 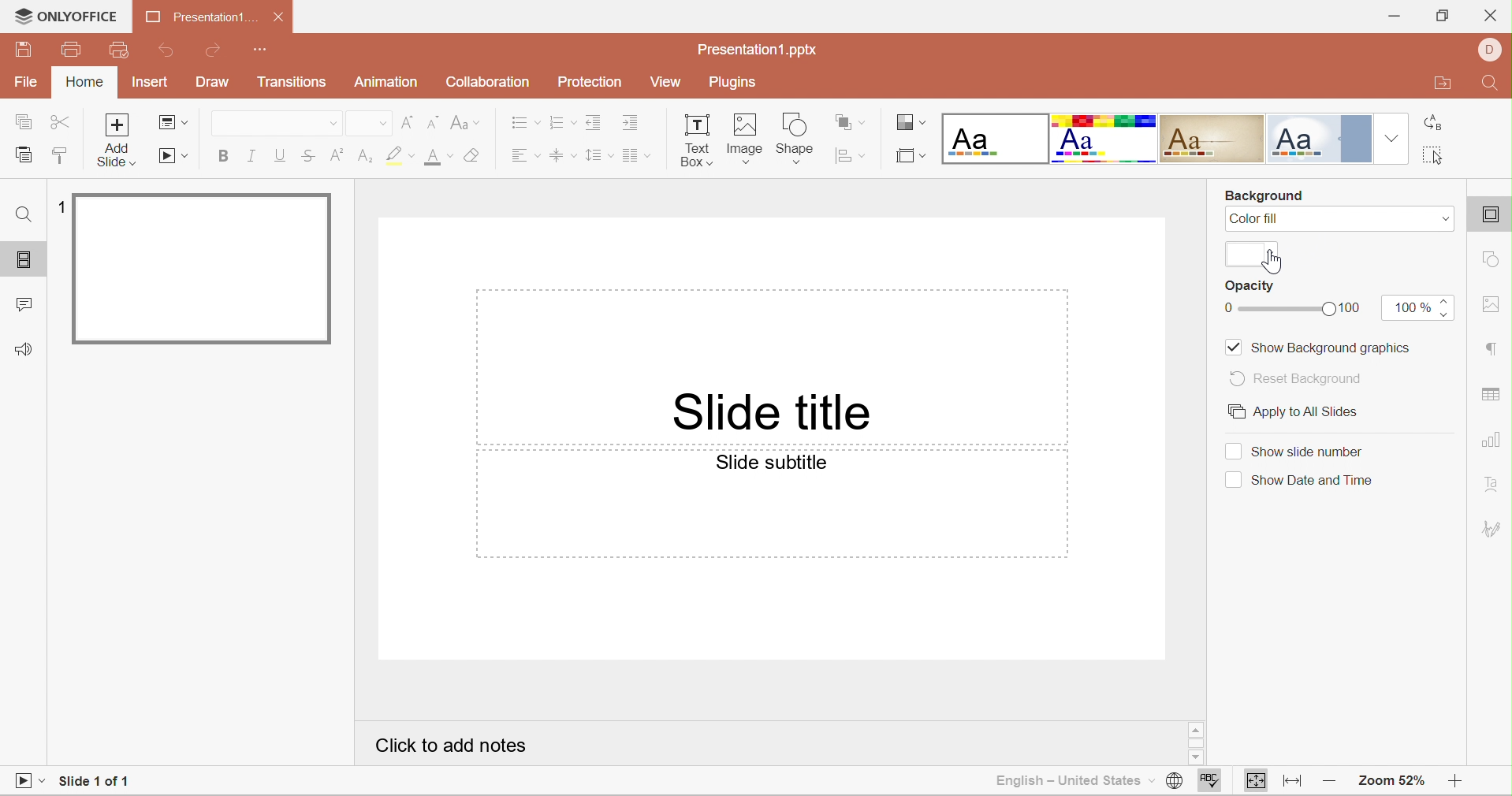 What do you see at coordinates (911, 156) in the screenshot?
I see `Select slide size` at bounding box center [911, 156].